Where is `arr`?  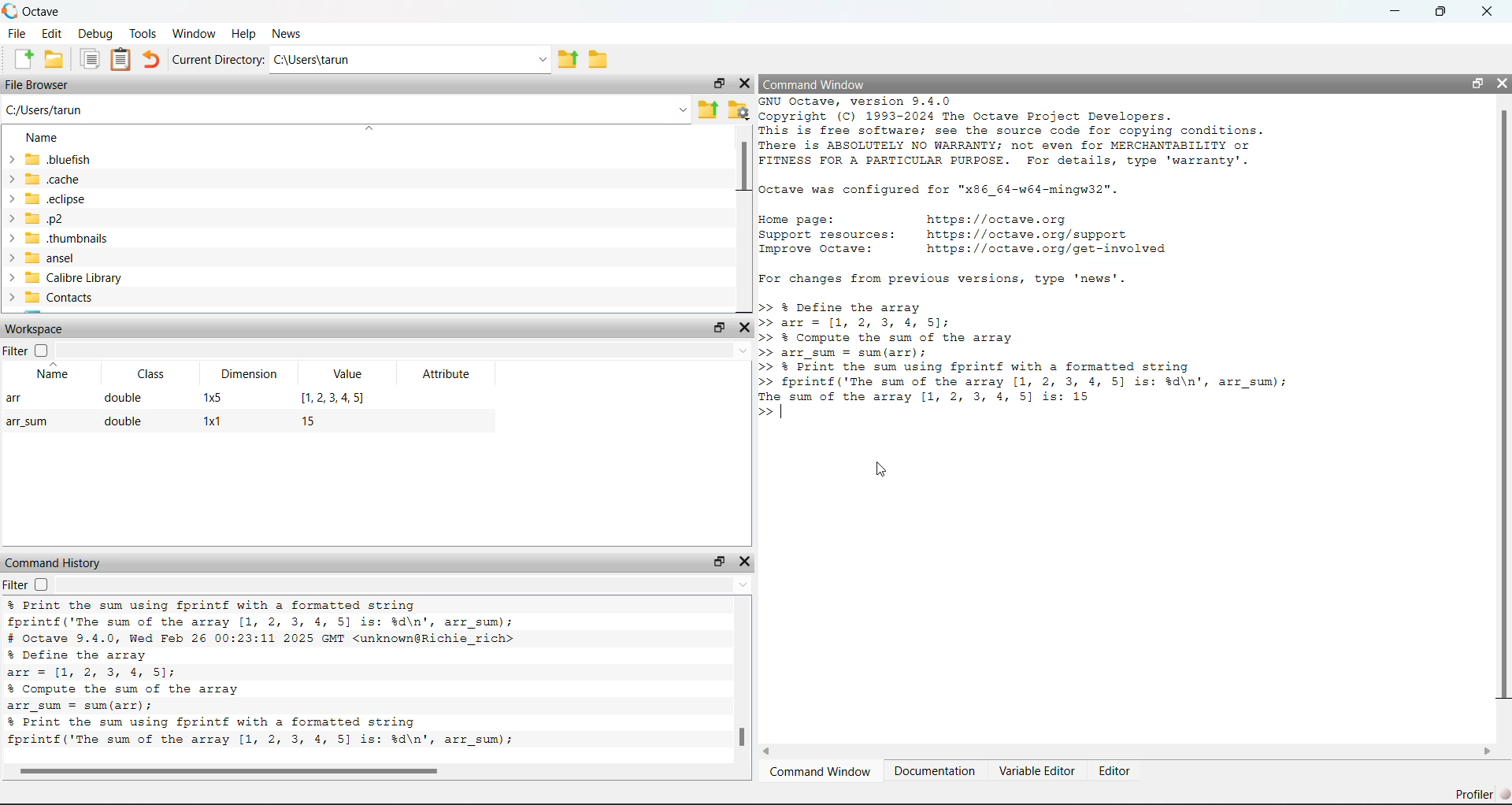
arr is located at coordinates (19, 398).